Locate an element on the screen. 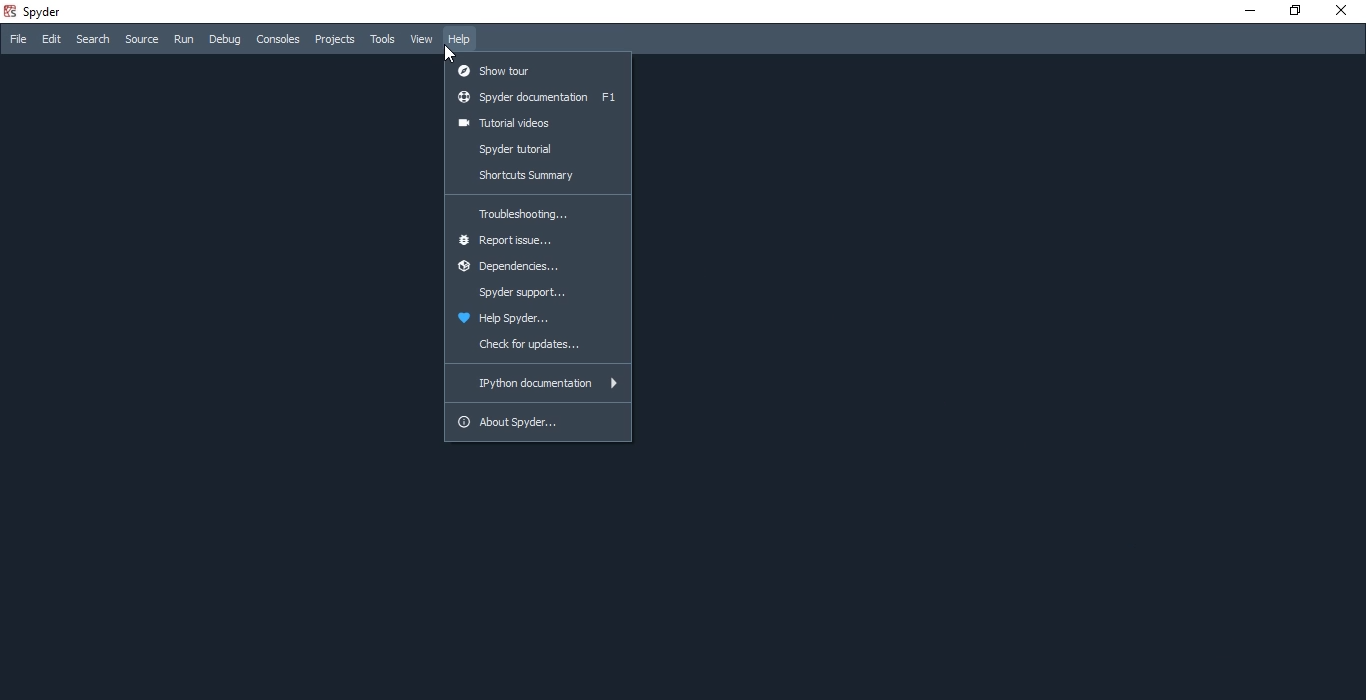  spyder is located at coordinates (34, 12).